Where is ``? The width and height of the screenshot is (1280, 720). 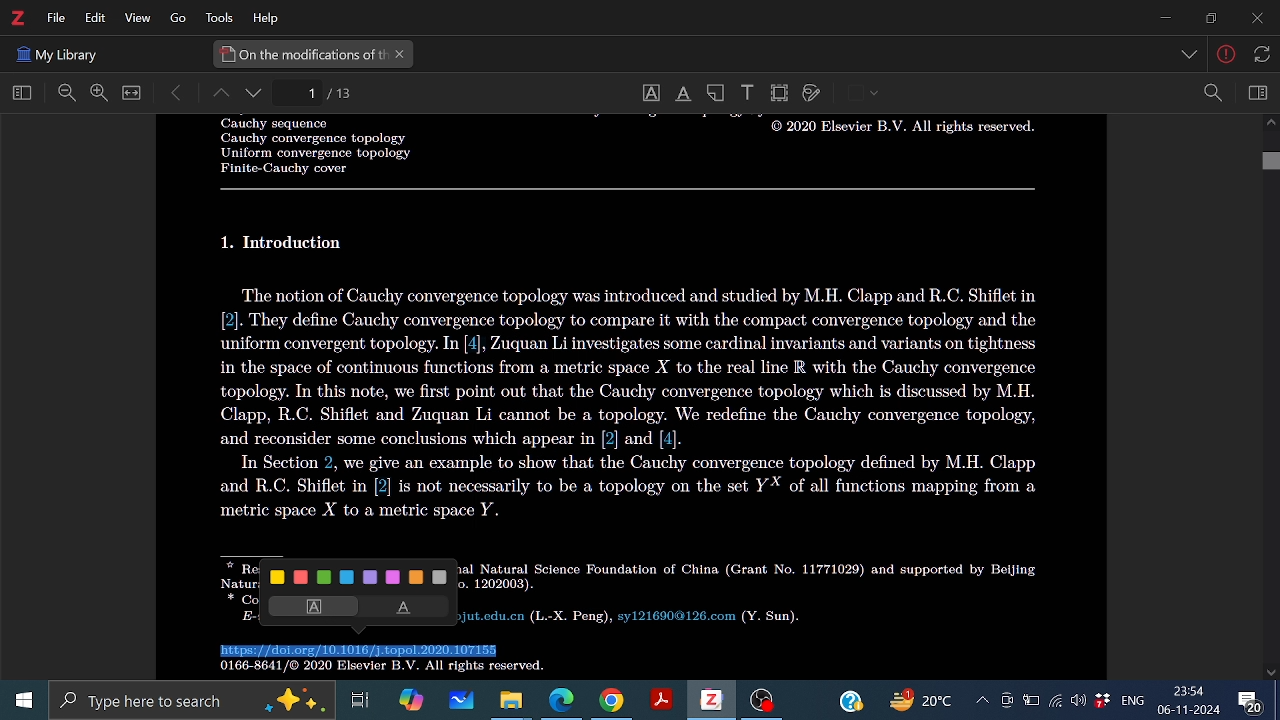
 is located at coordinates (374, 669).